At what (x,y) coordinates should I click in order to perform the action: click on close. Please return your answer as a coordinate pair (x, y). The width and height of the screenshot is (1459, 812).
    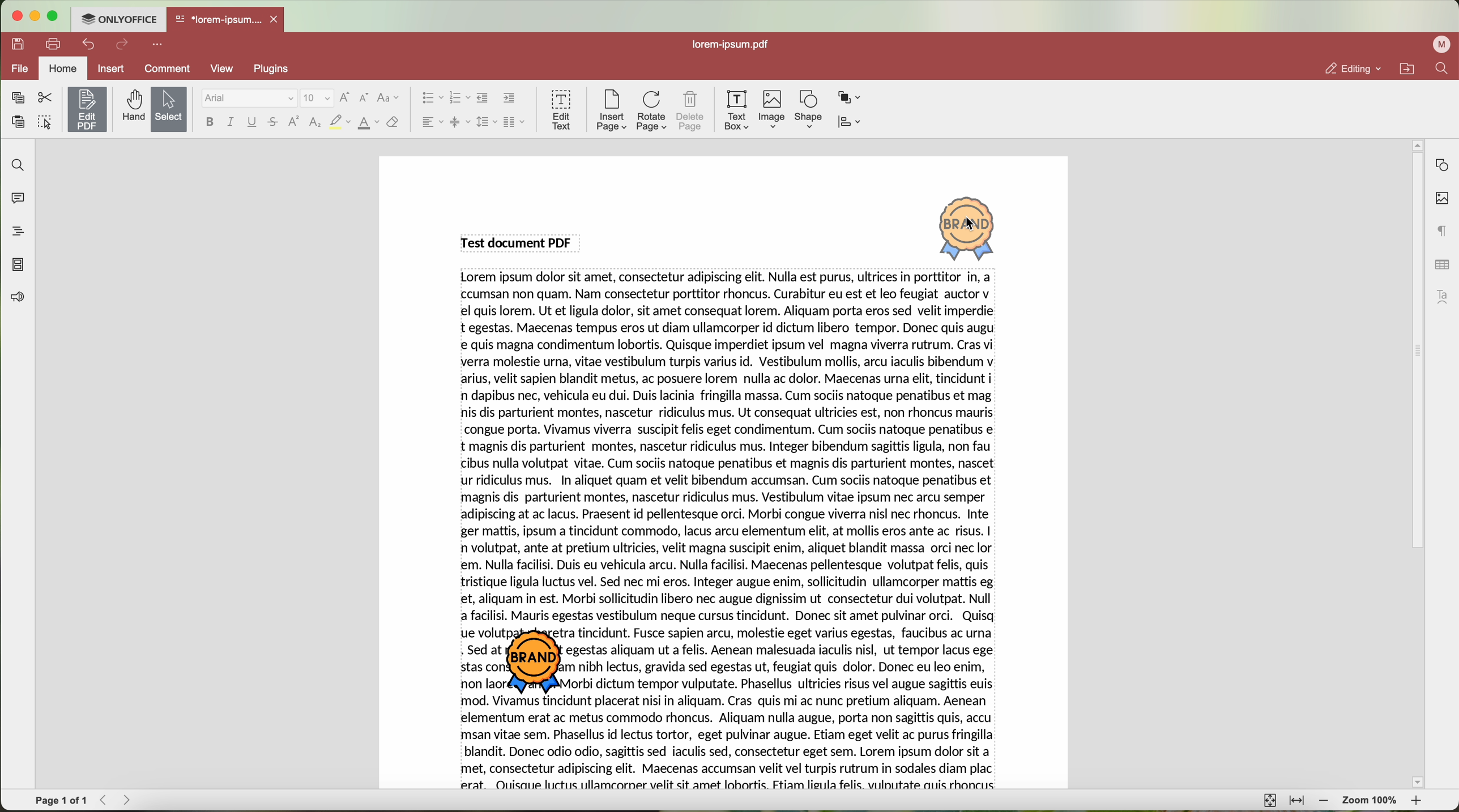
    Looking at the image, I should click on (276, 19).